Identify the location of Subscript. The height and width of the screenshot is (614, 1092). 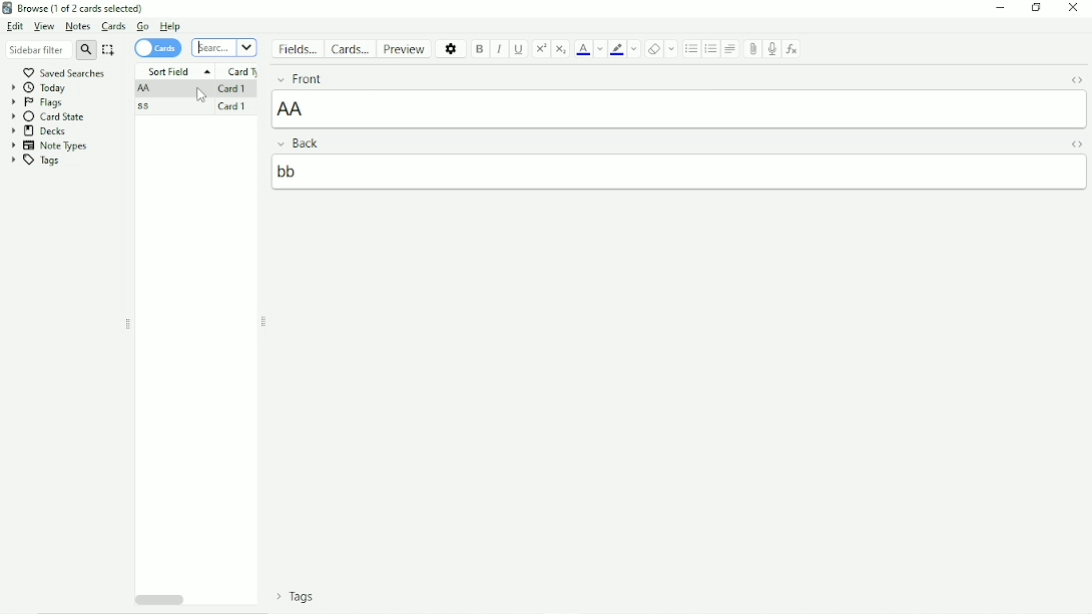
(562, 49).